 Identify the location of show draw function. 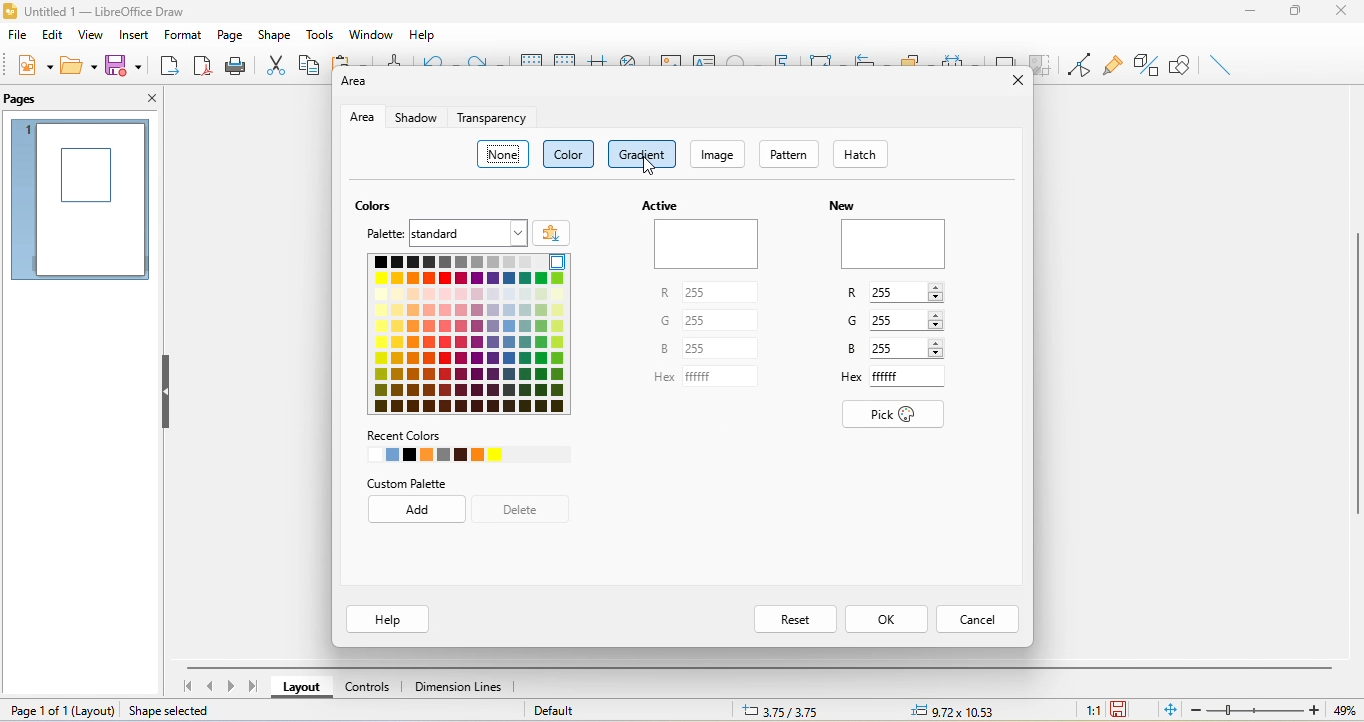
(1182, 62).